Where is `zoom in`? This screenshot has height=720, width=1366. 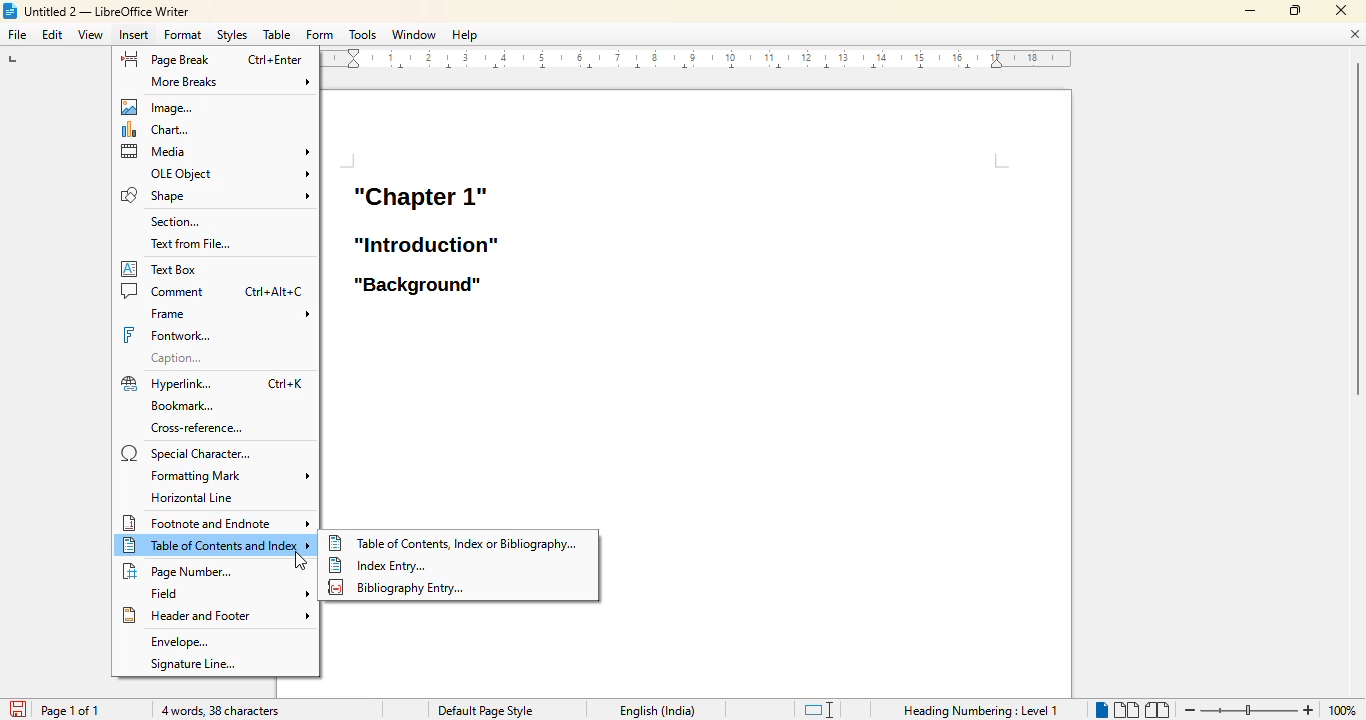 zoom in is located at coordinates (1309, 710).